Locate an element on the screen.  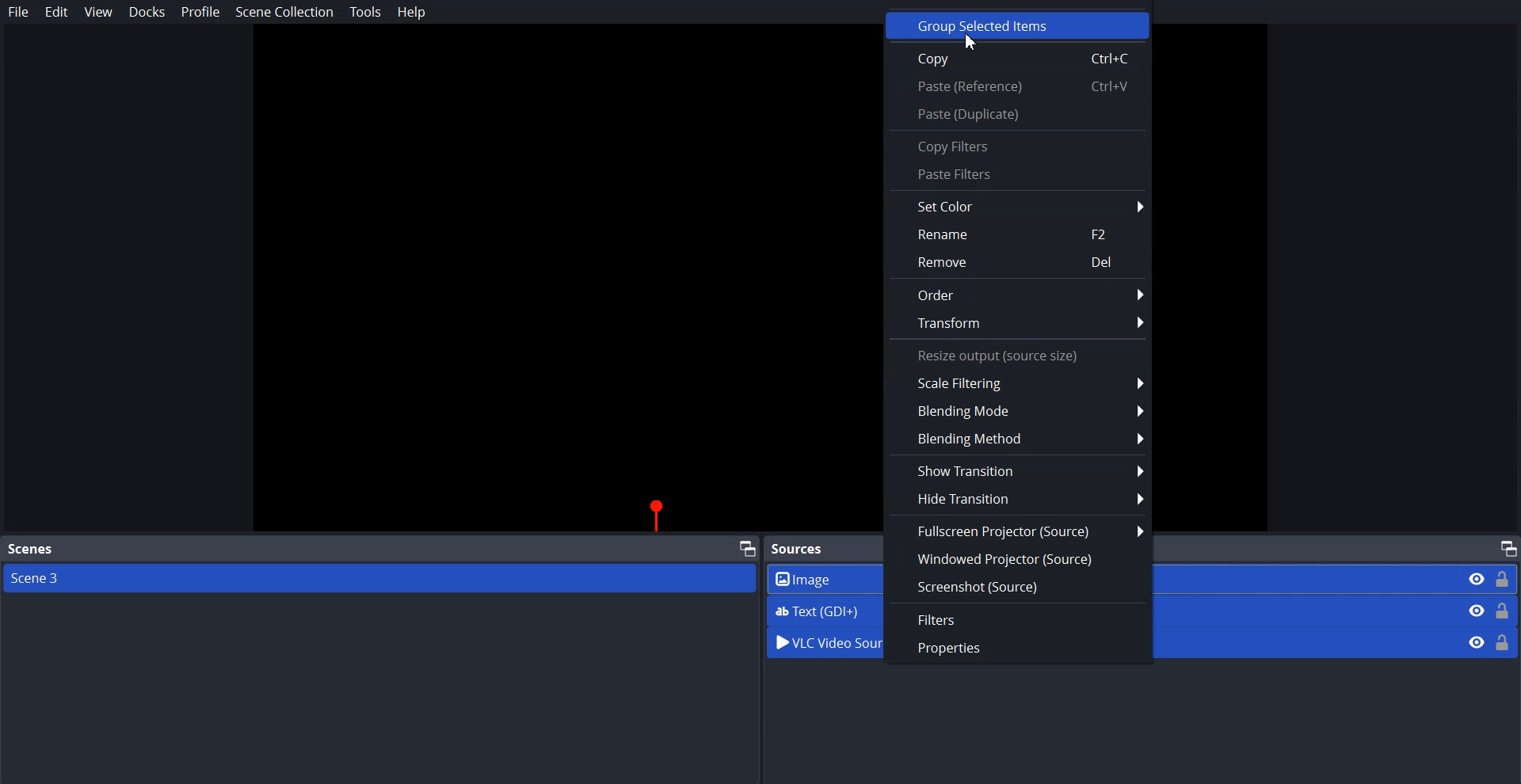
Show Transition is located at coordinates (1017, 471).